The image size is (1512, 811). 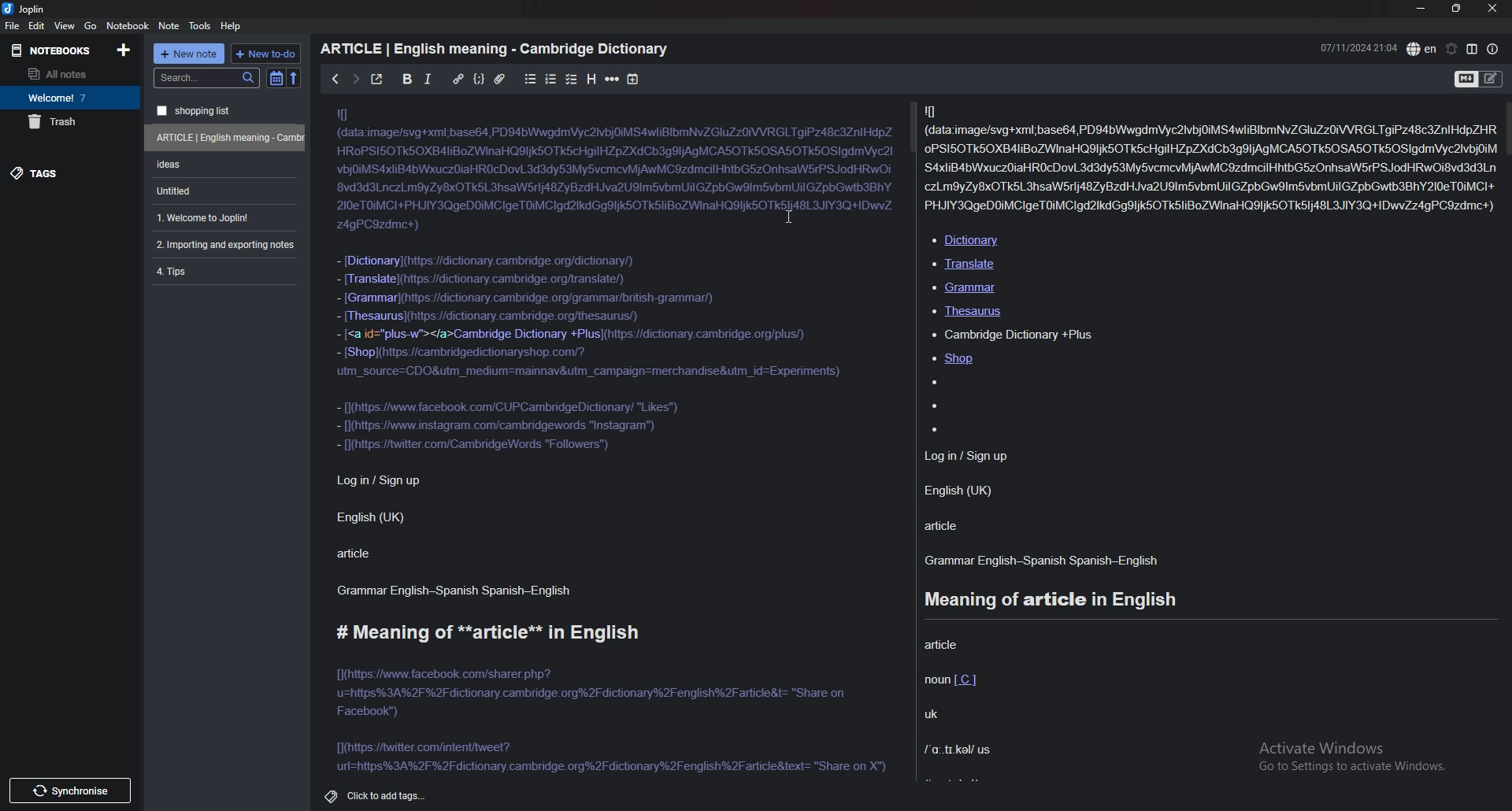 What do you see at coordinates (276, 79) in the screenshot?
I see `toggle sort order` at bounding box center [276, 79].